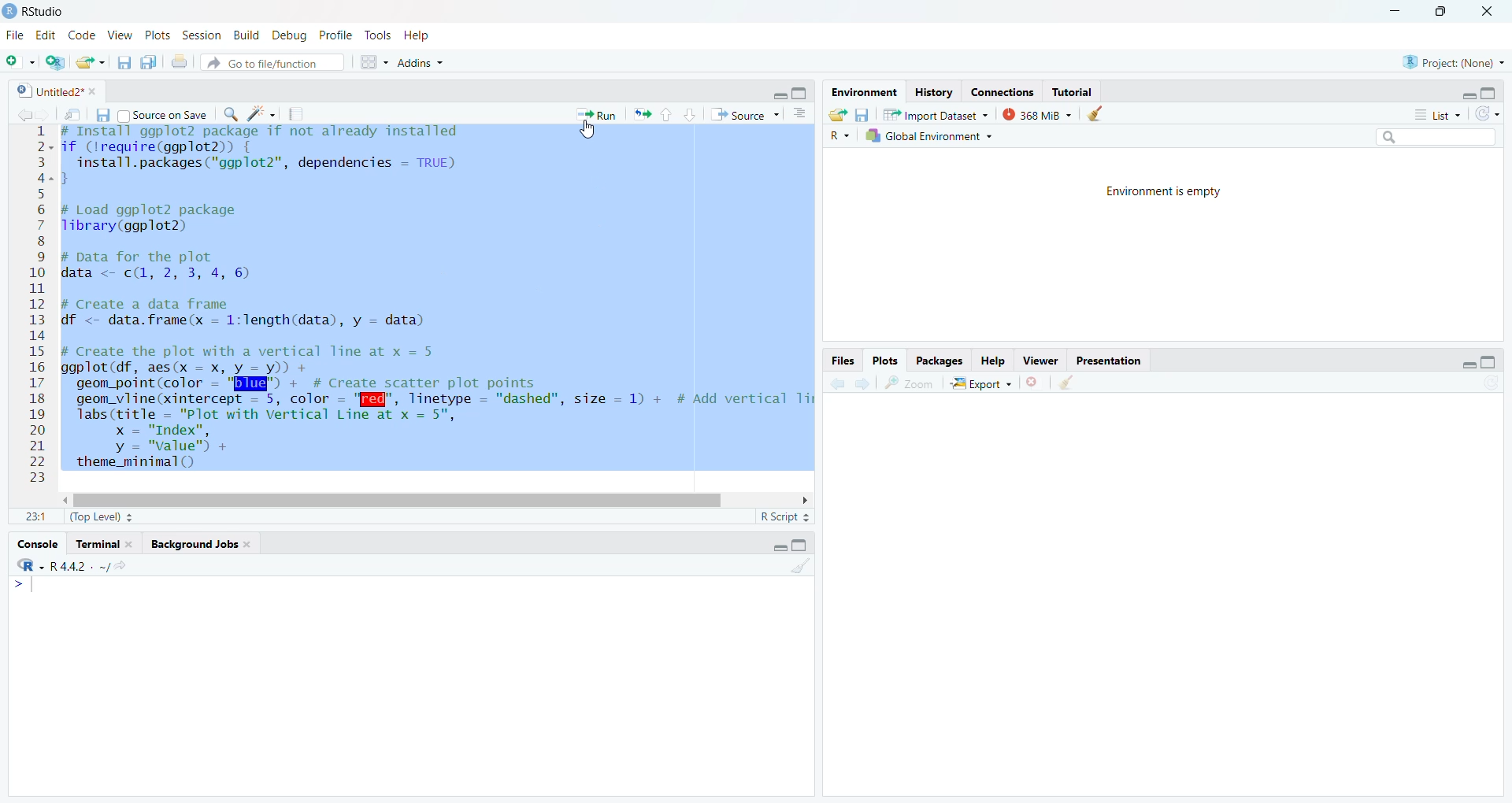 Image resolution: width=1512 pixels, height=803 pixels. I want to click on e Tools, so click(376, 35).